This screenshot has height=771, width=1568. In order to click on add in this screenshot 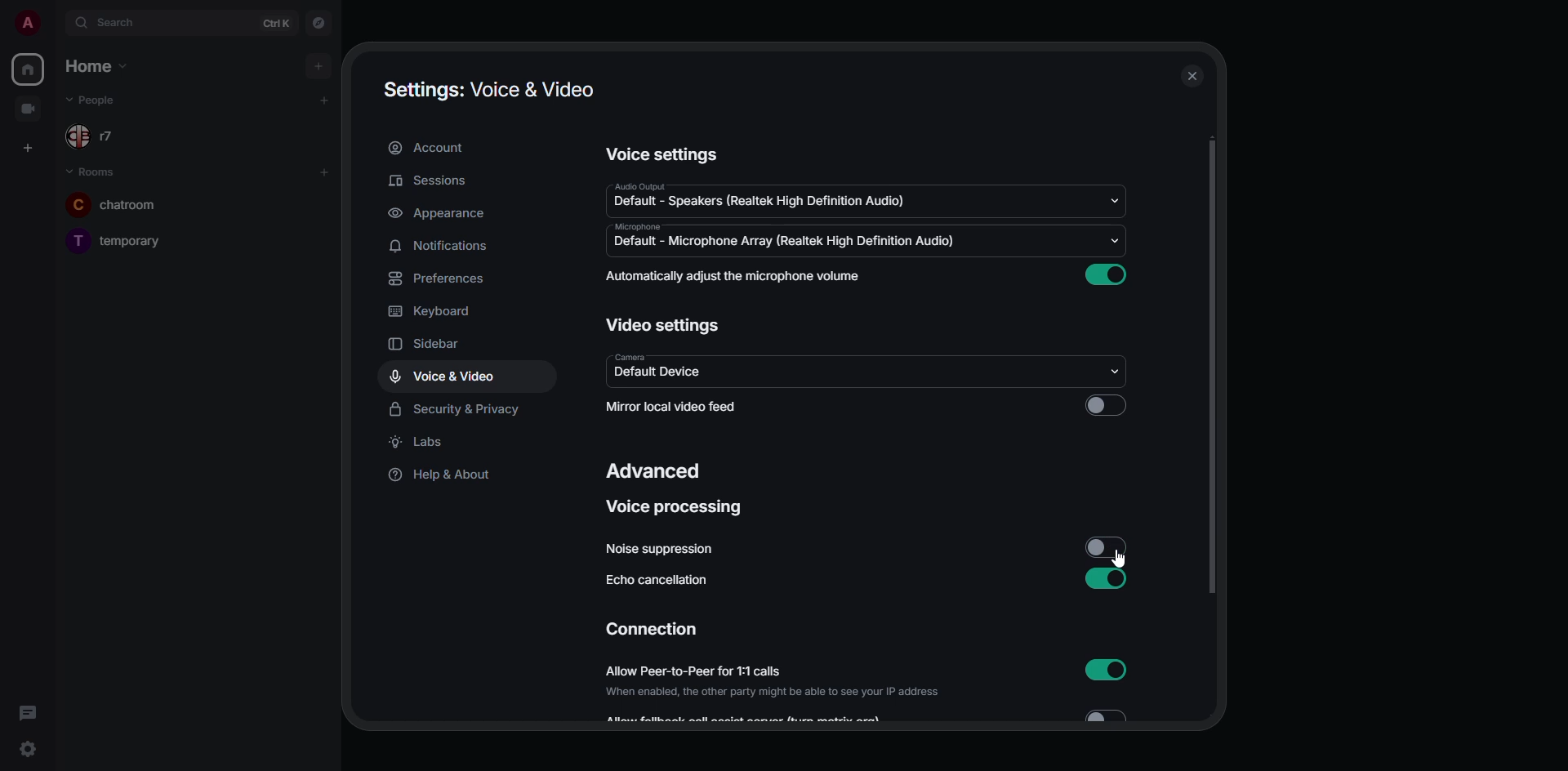, I will do `click(323, 172)`.